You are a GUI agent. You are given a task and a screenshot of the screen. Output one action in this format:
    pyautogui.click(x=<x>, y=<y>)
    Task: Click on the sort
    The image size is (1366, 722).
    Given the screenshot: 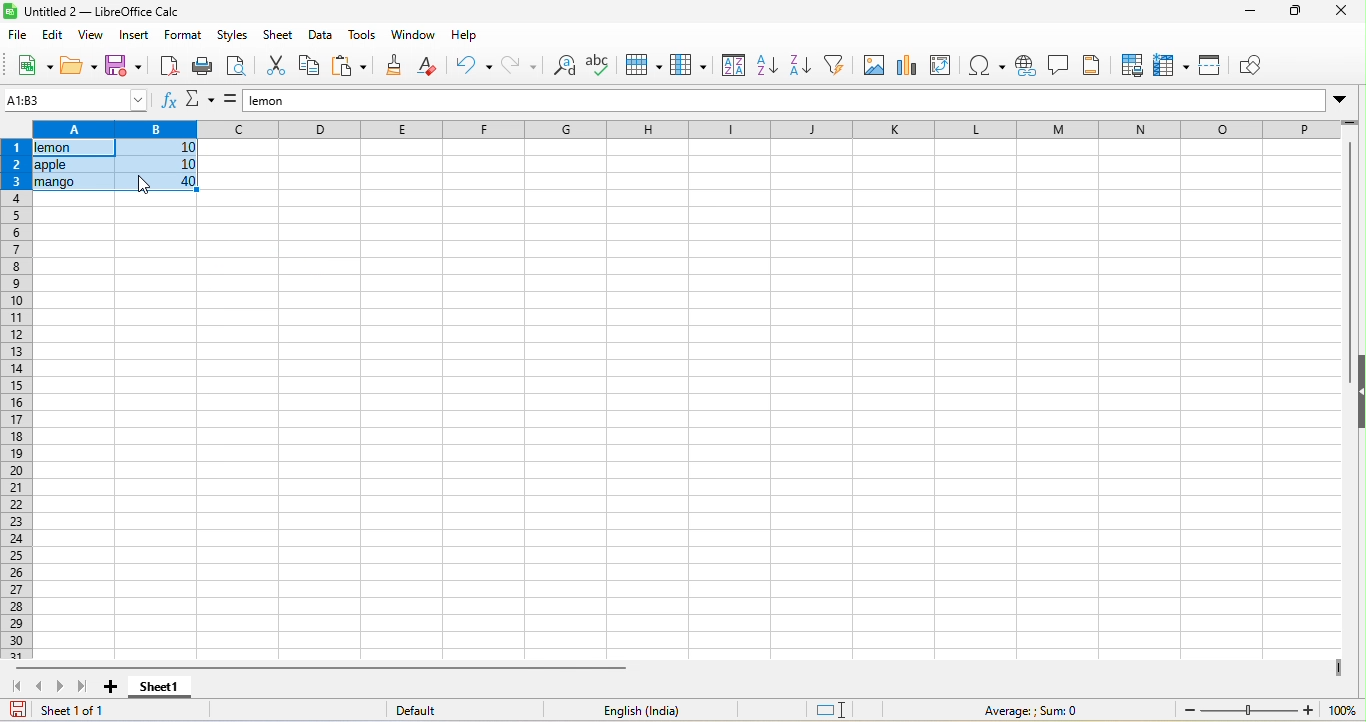 What is the action you would take?
    pyautogui.click(x=731, y=67)
    